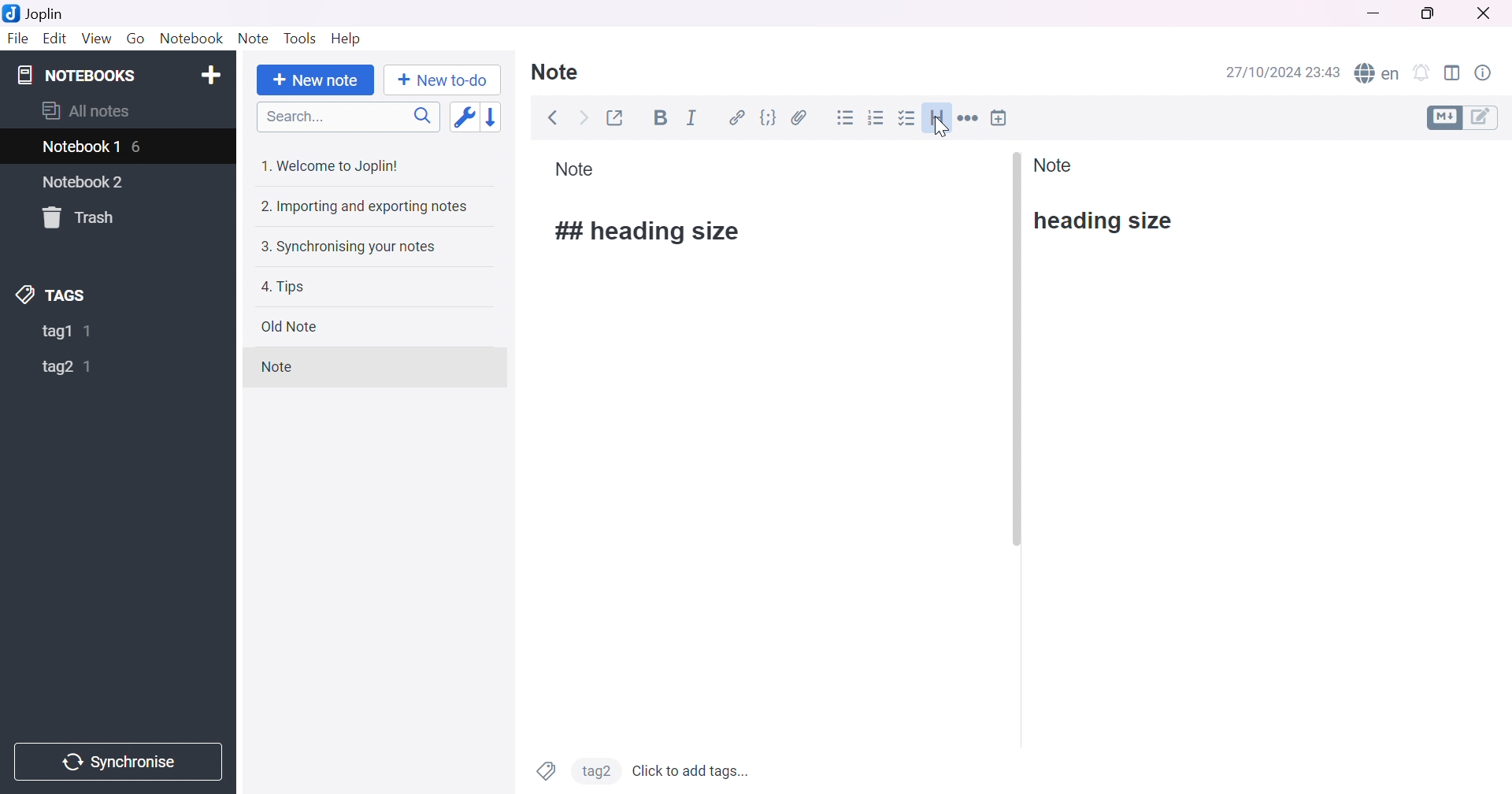 Image resolution: width=1512 pixels, height=794 pixels. Describe the element at coordinates (969, 119) in the screenshot. I see `Horizontal rule` at that location.